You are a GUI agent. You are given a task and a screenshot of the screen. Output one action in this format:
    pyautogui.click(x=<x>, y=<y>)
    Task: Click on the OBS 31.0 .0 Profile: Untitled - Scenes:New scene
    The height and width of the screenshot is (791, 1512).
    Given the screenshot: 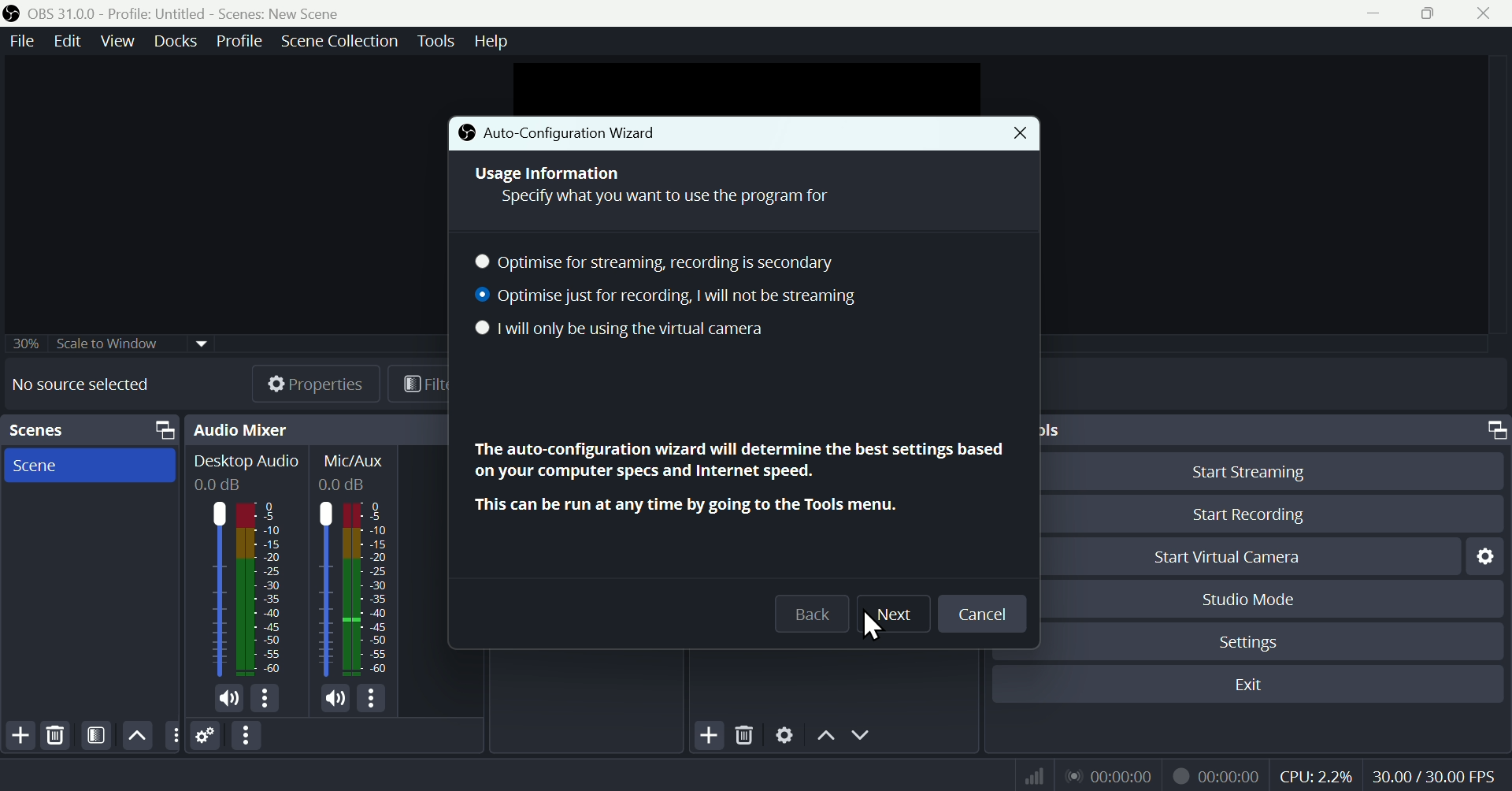 What is the action you would take?
    pyautogui.click(x=187, y=13)
    